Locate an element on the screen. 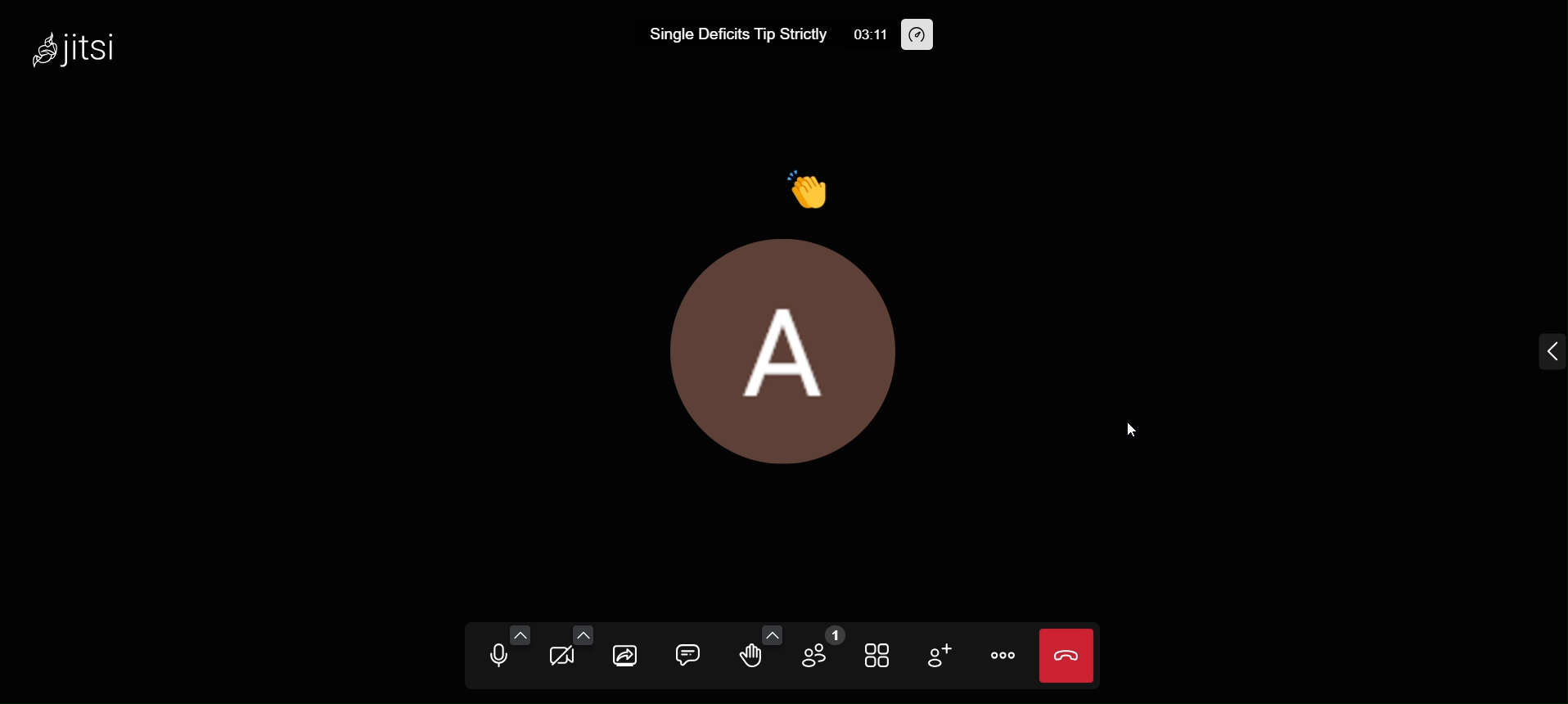 This screenshot has height=704, width=1568. toggle tile view is located at coordinates (881, 657).